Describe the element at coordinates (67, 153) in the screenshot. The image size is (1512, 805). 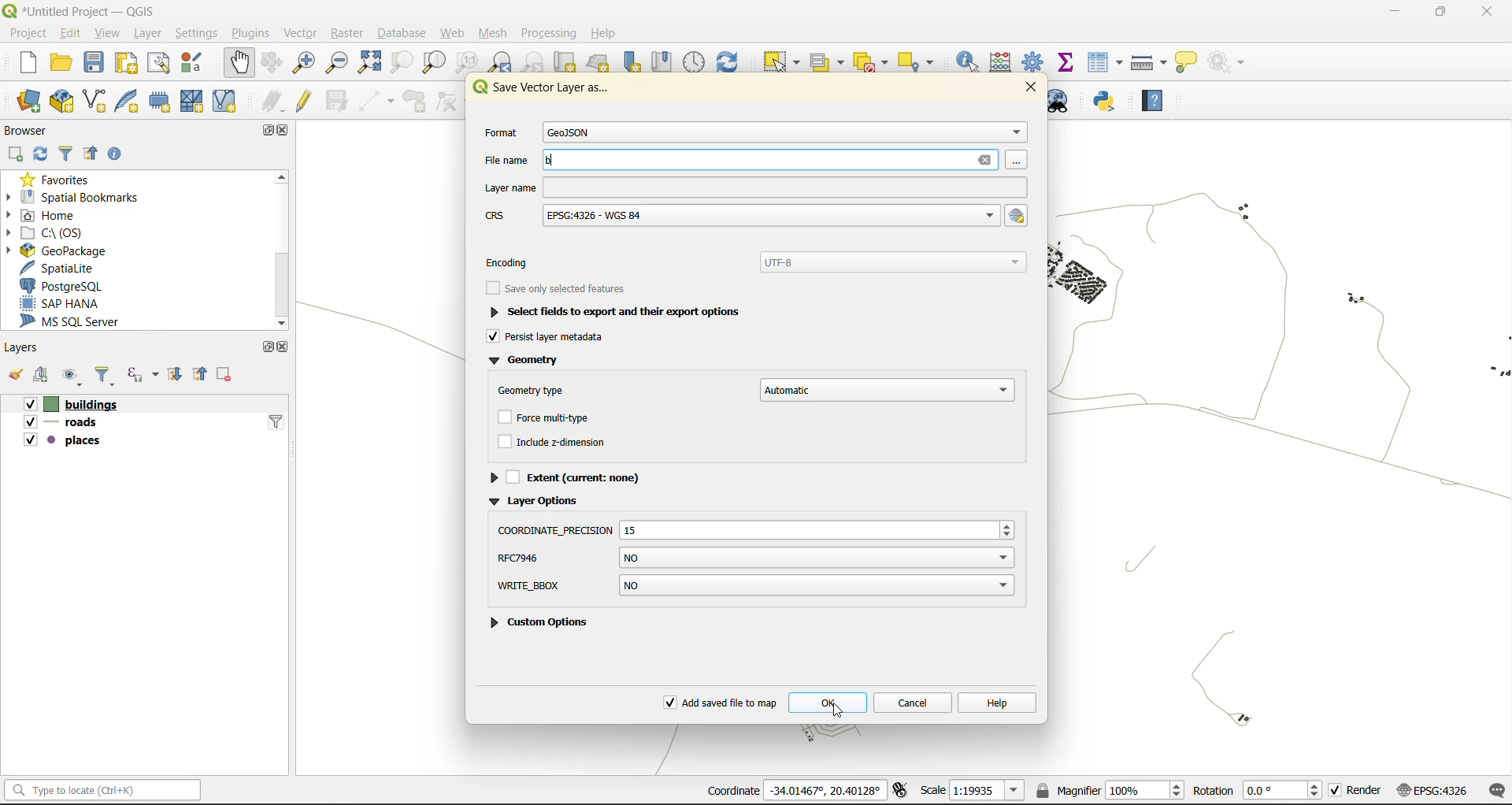
I see `filter` at that location.